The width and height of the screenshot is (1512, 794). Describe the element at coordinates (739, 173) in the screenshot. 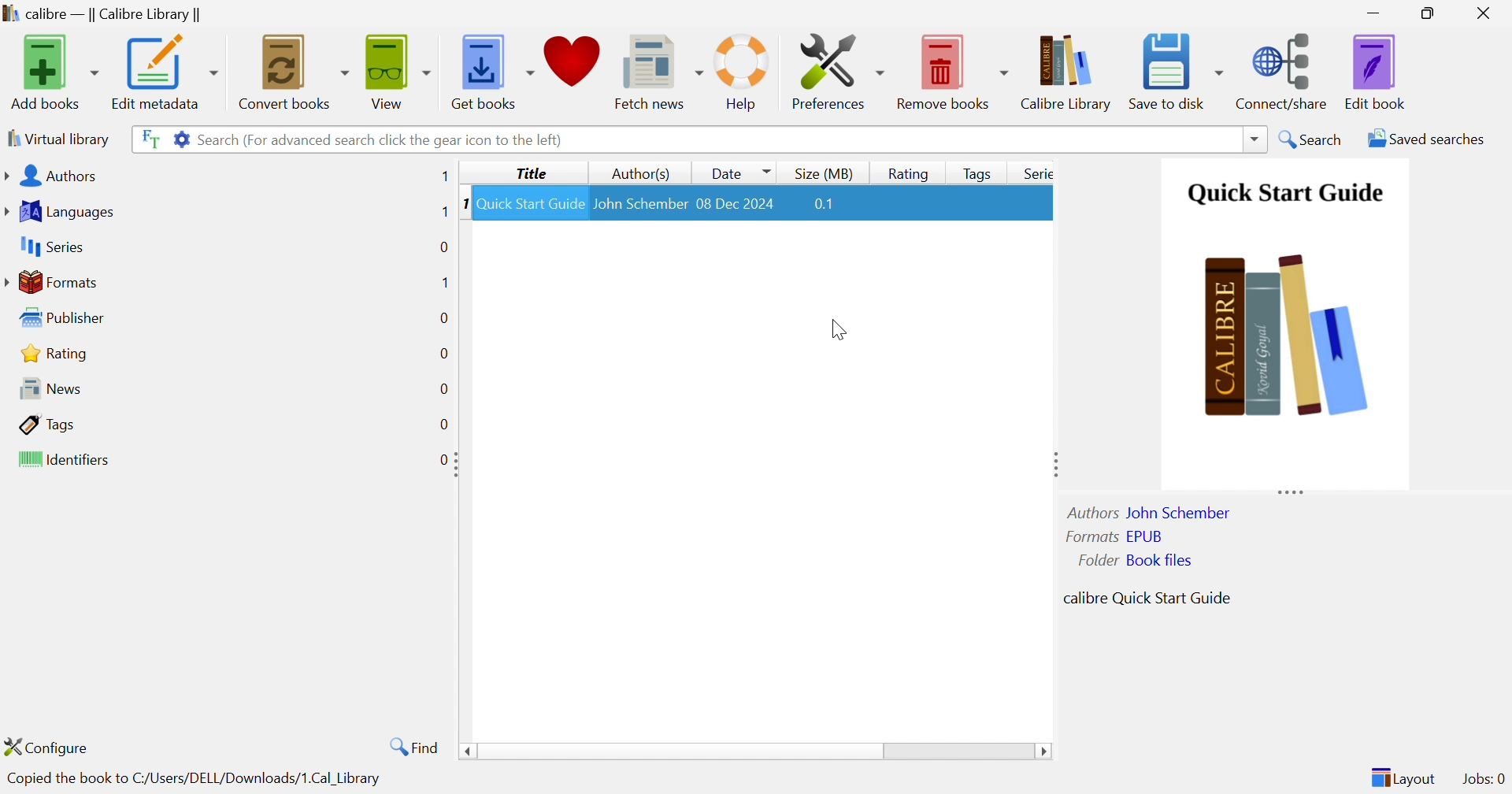

I see `Date` at that location.